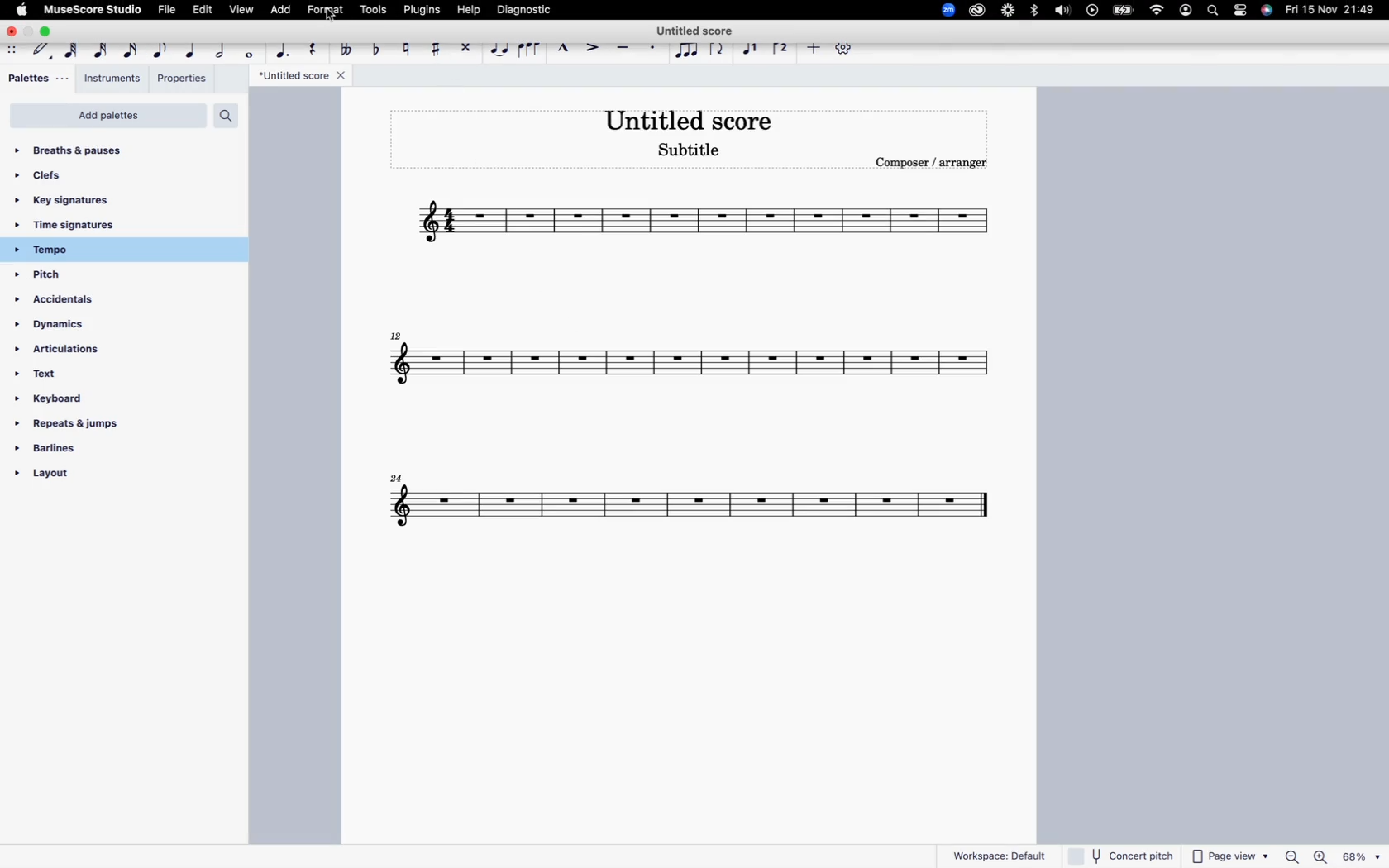 This screenshot has height=868, width=1389. I want to click on battery, so click(1124, 10).